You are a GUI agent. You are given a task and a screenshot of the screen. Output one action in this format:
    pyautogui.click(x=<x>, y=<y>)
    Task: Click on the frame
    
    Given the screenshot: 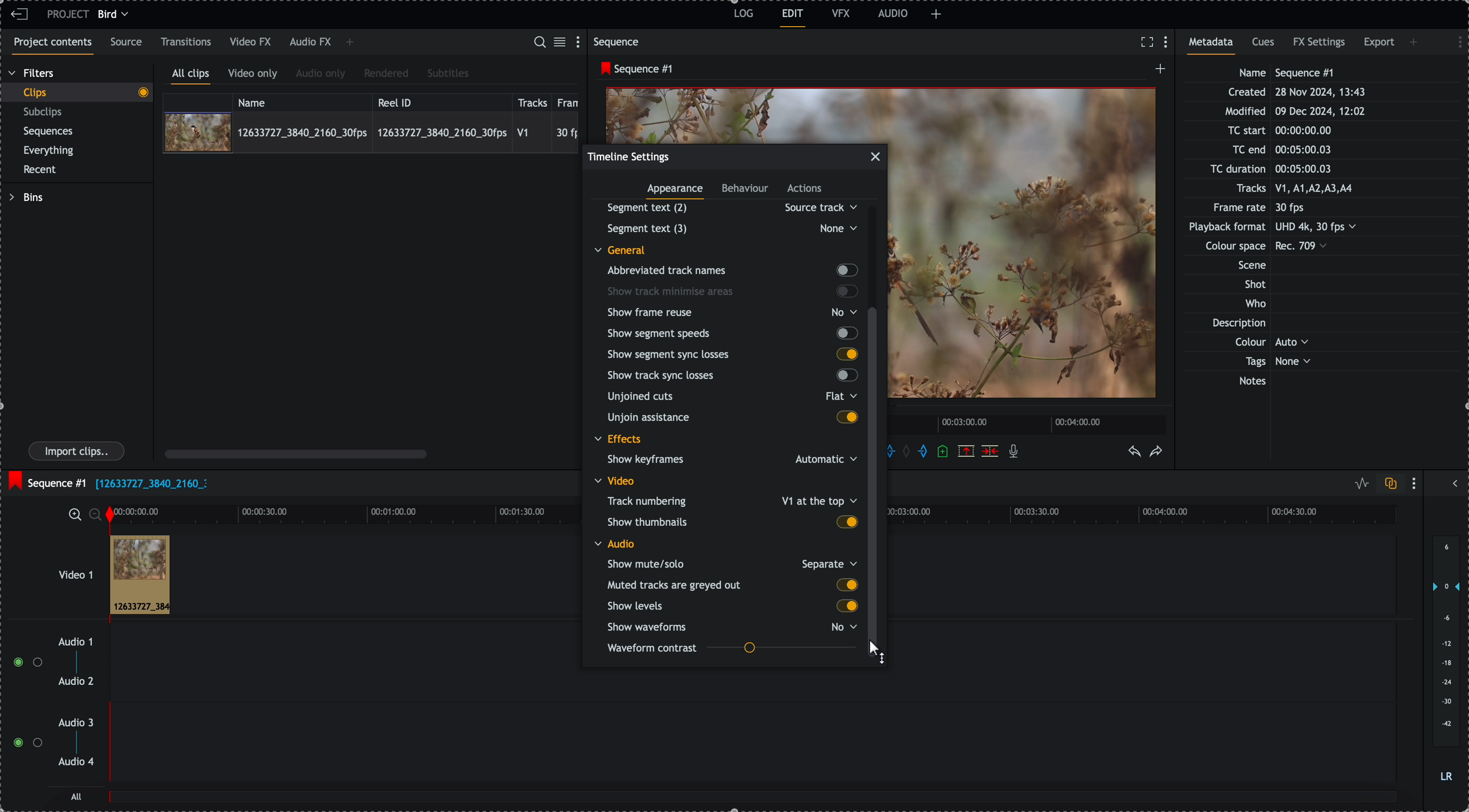 What is the action you would take?
    pyautogui.click(x=570, y=101)
    